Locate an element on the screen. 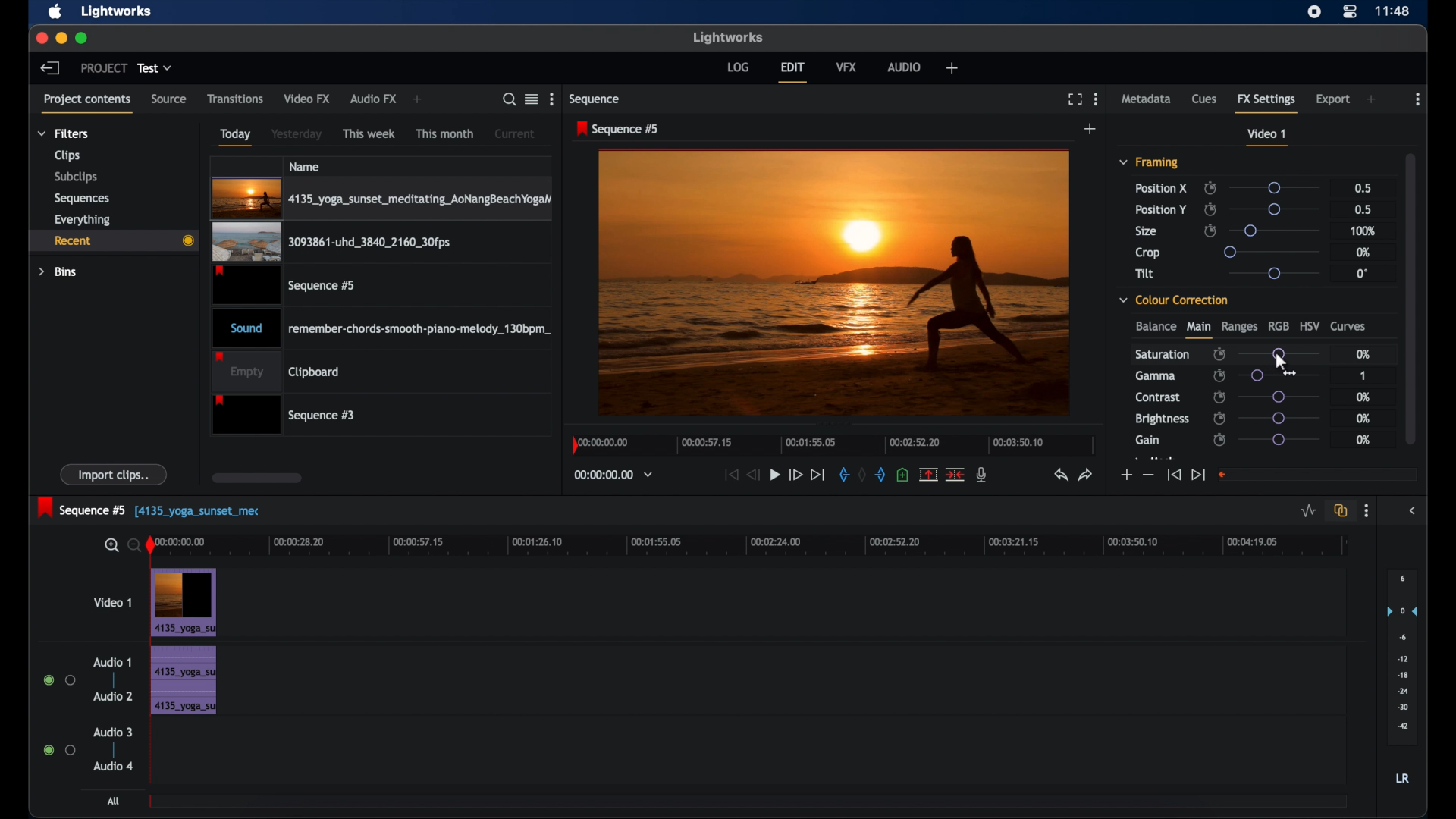 This screenshot has width=1456, height=819. today is located at coordinates (235, 136).